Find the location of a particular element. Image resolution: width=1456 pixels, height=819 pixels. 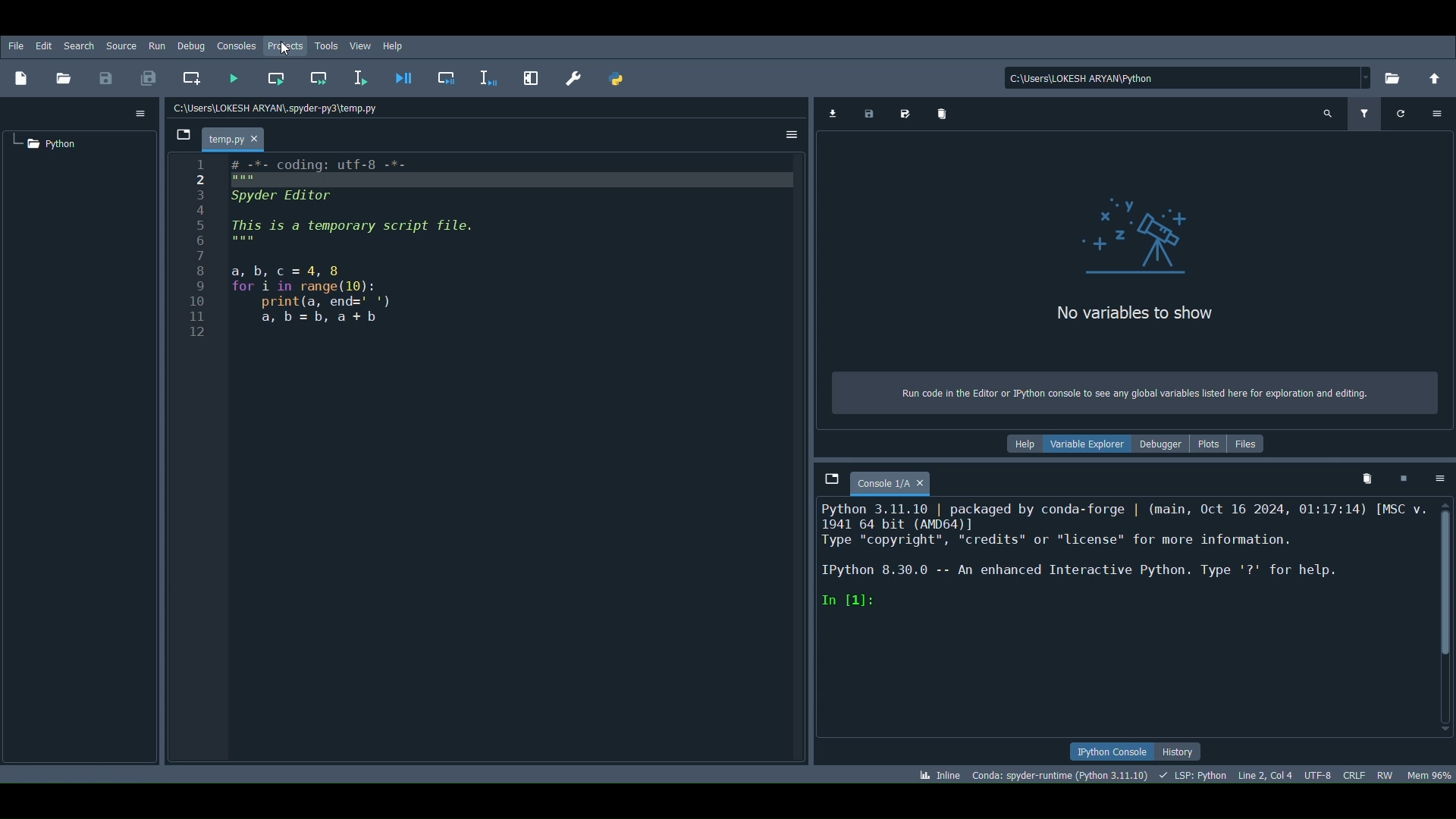

Run code in the Editor or IPython console to see any global variables listed here for exploration and editing. is located at coordinates (1123, 392).